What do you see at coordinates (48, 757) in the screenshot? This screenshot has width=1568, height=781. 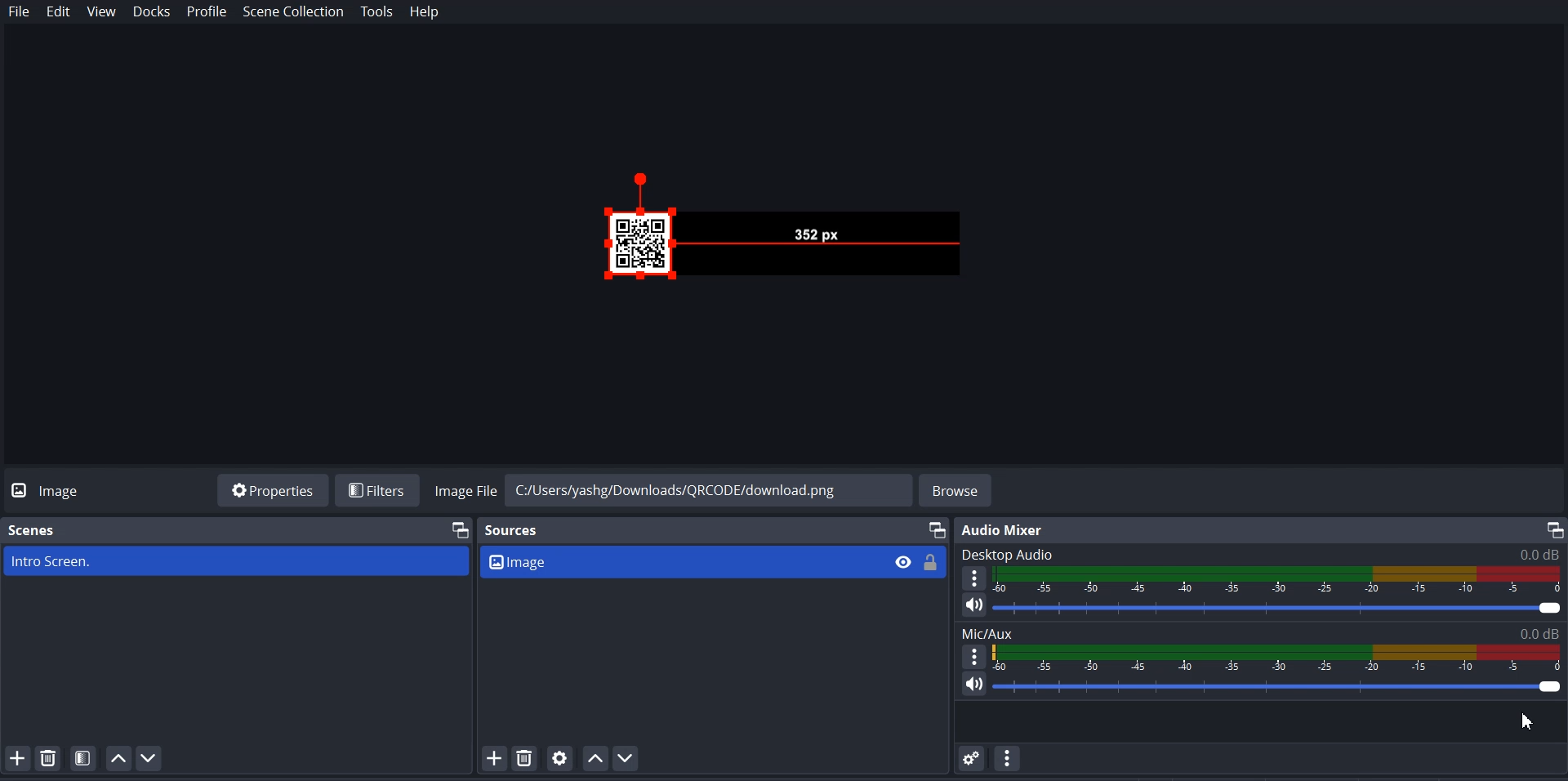 I see `Remove selected Scene` at bounding box center [48, 757].